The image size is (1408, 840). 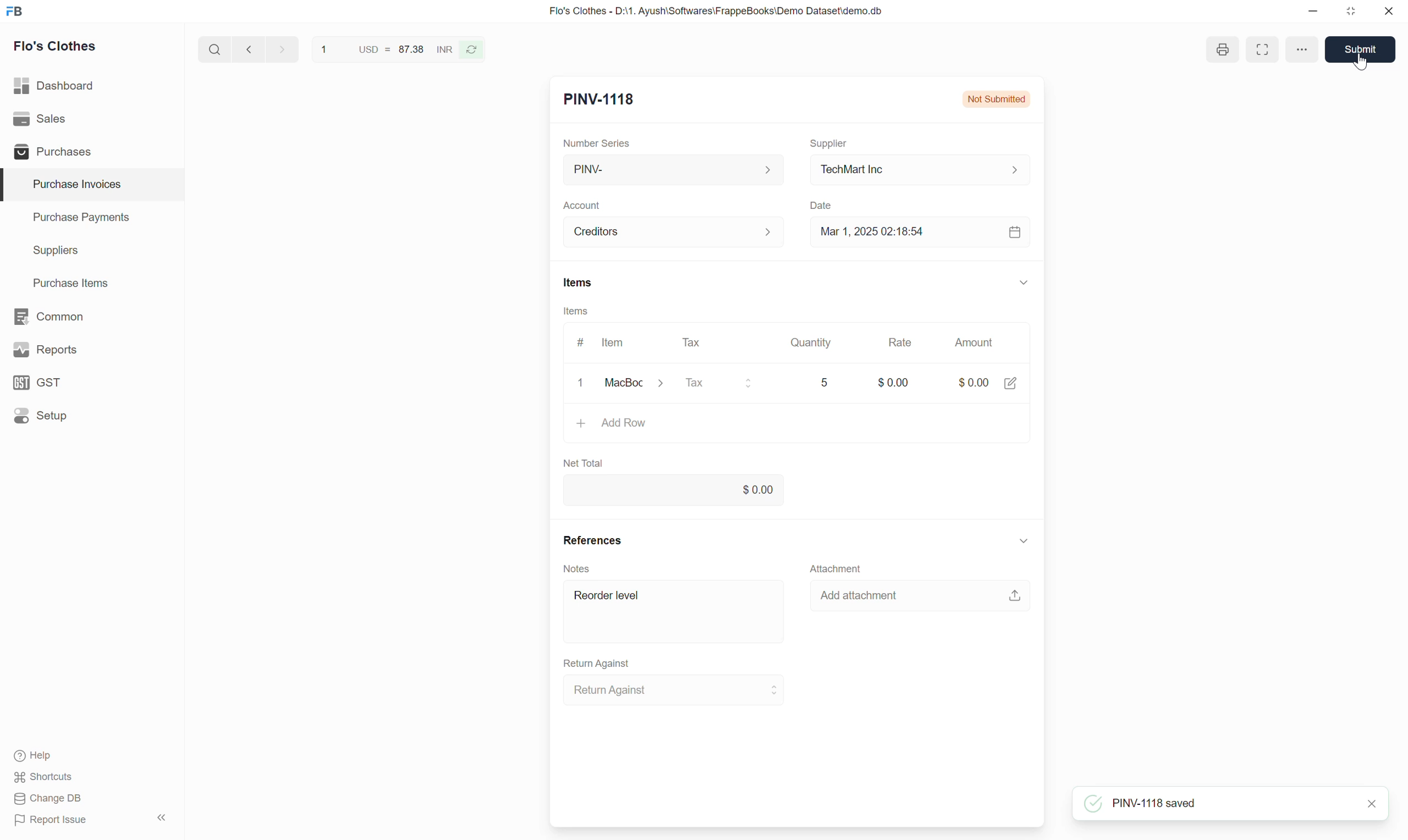 I want to click on Change dimension, so click(x=1351, y=11).